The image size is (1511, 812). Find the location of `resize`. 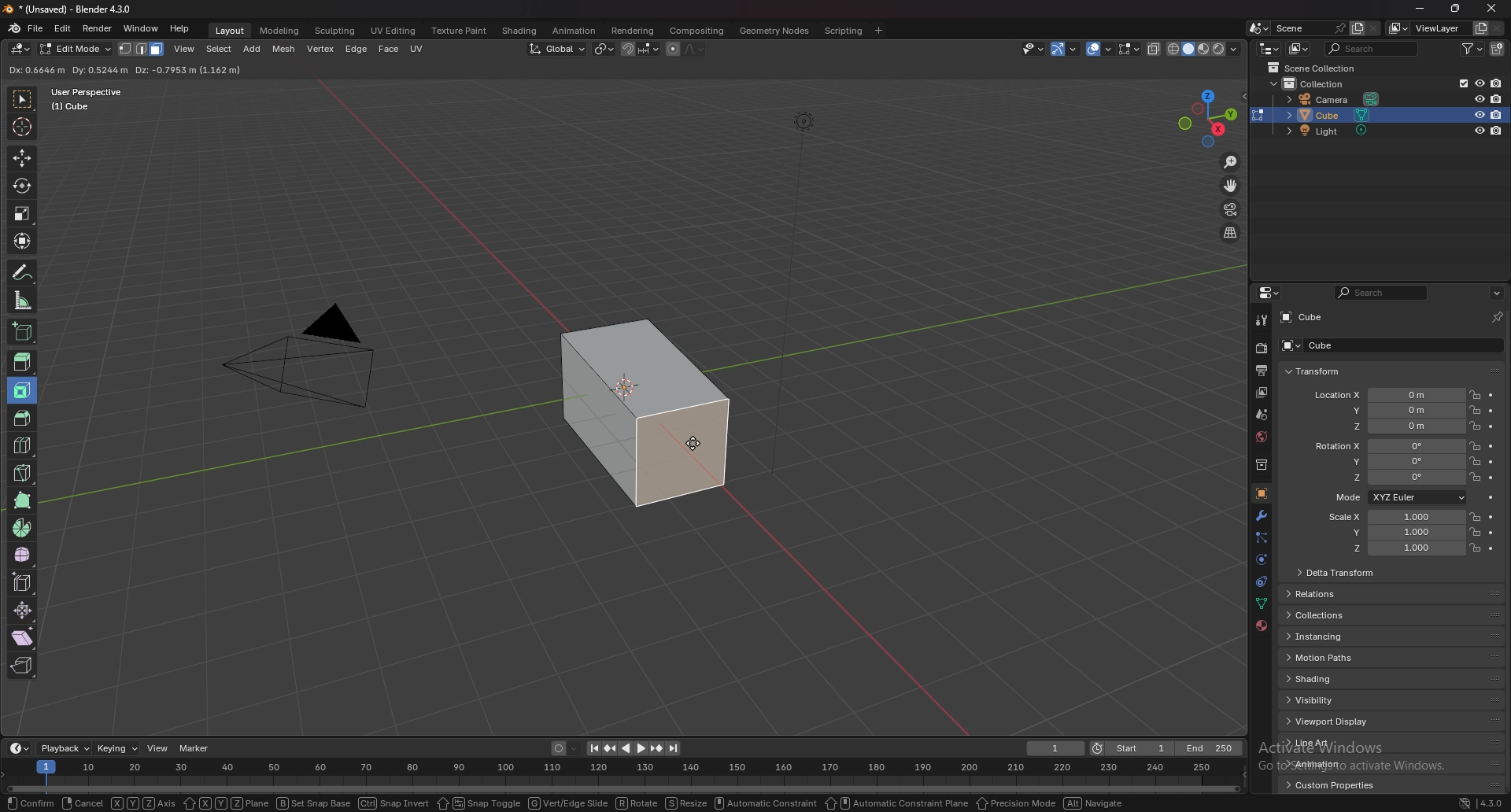

resize is located at coordinates (686, 803).